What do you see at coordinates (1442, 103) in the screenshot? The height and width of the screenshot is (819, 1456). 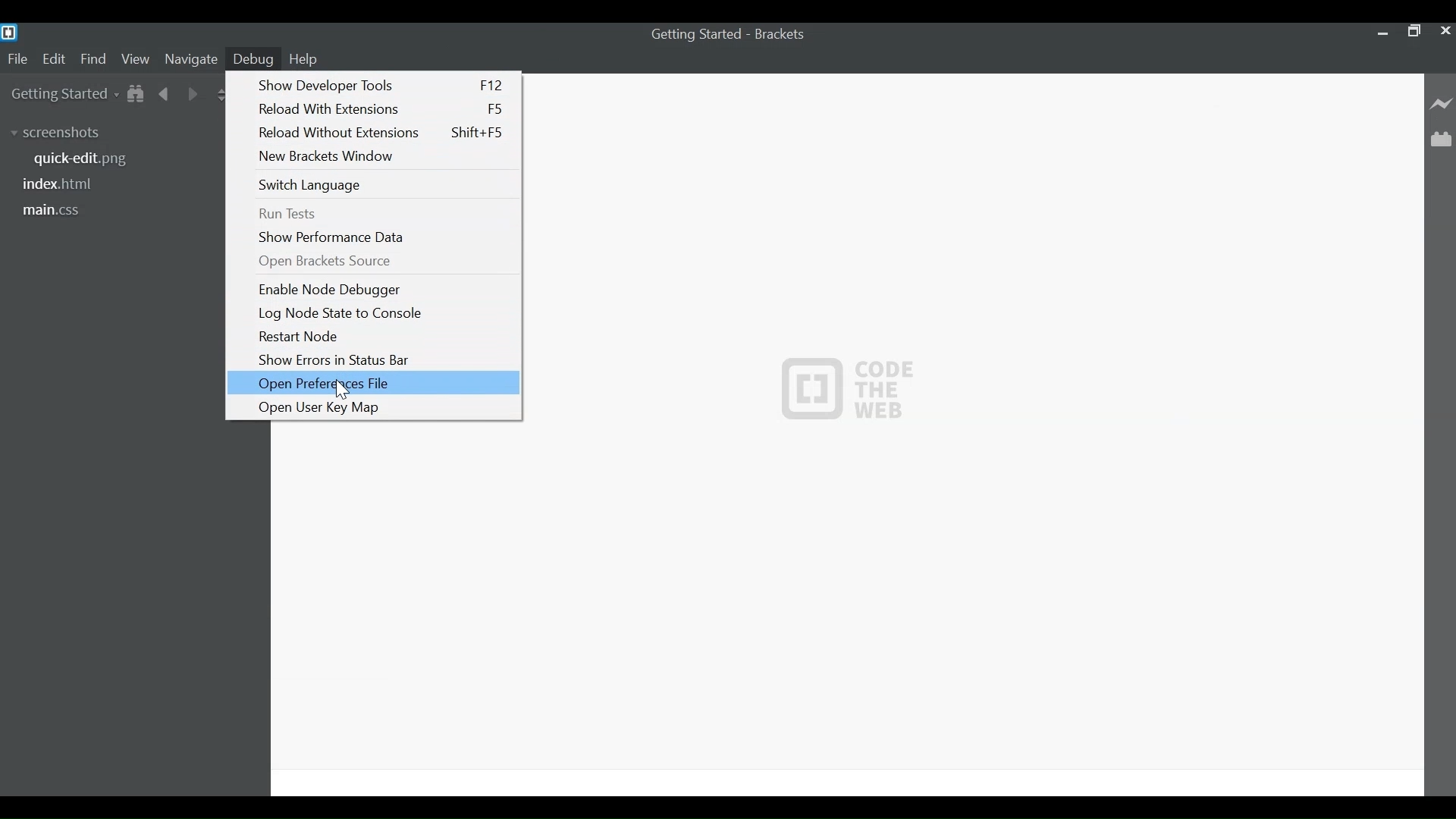 I see `Live Preview` at bounding box center [1442, 103].